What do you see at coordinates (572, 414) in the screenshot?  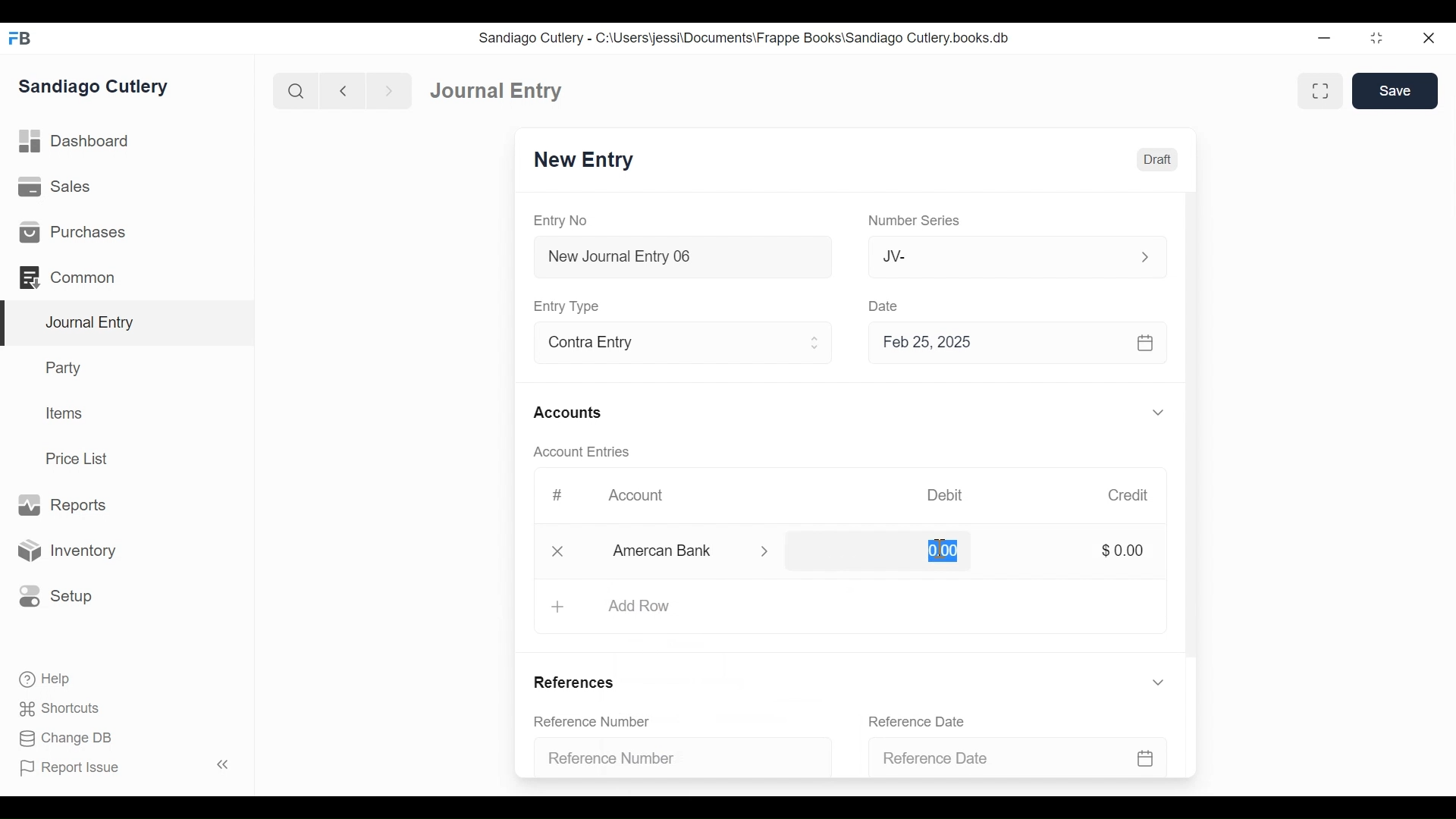 I see `Accounts` at bounding box center [572, 414].